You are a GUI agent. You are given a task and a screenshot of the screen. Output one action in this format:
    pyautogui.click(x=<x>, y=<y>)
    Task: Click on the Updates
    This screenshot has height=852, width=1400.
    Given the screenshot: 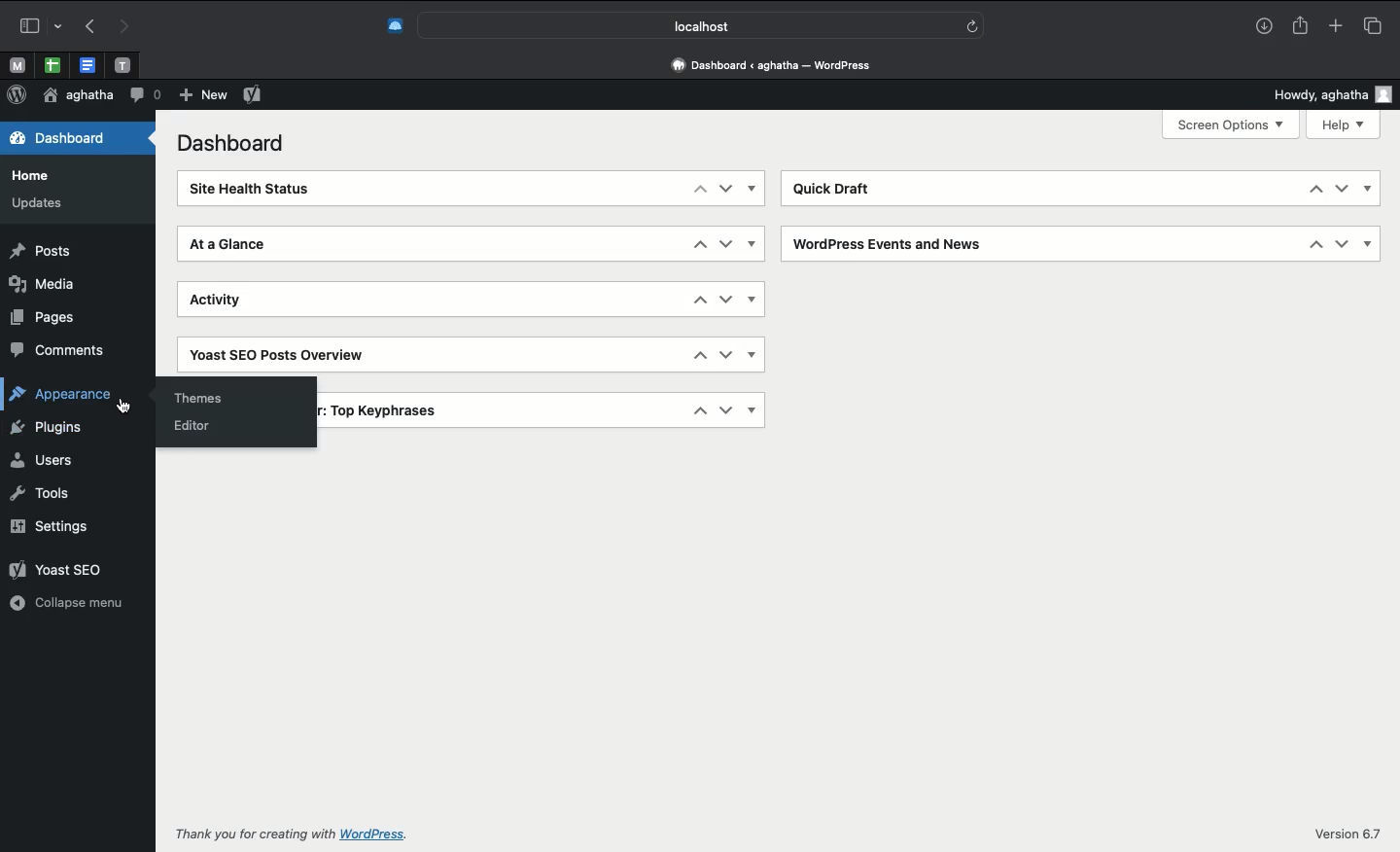 What is the action you would take?
    pyautogui.click(x=48, y=203)
    